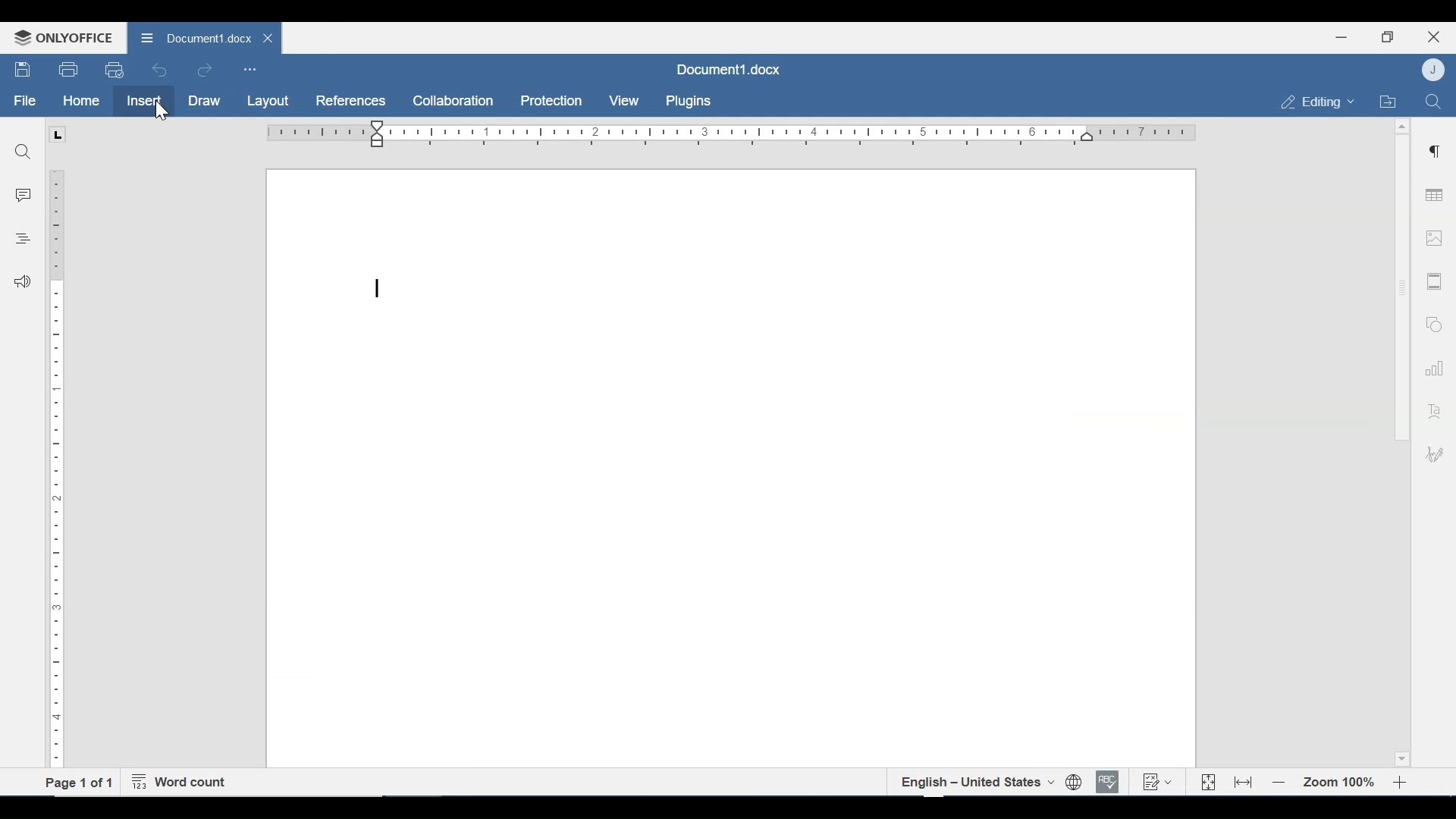  Describe the element at coordinates (730, 133) in the screenshot. I see `Horizontal Ruler` at that location.